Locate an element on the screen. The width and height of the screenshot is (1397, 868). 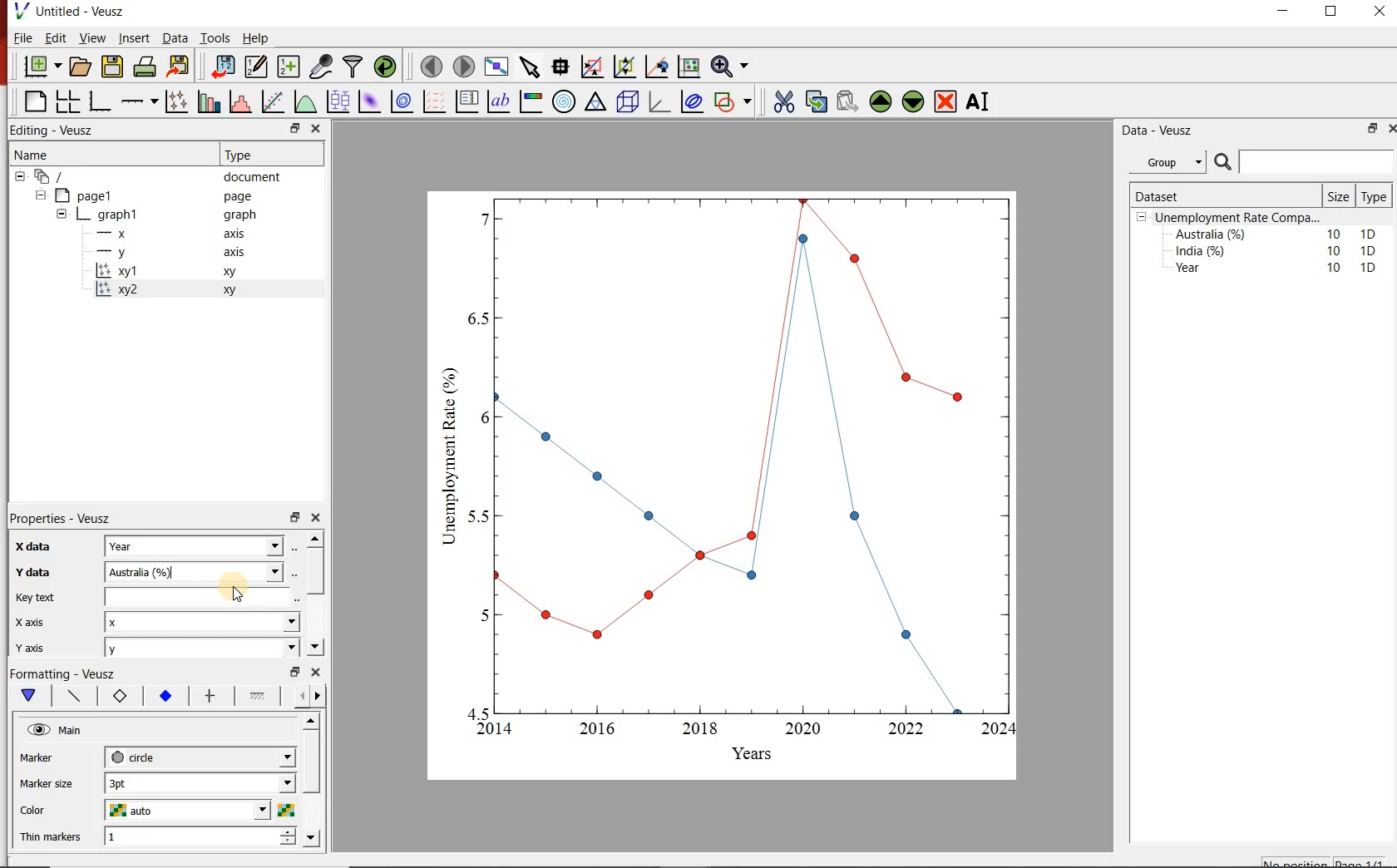
main is located at coordinates (32, 696).